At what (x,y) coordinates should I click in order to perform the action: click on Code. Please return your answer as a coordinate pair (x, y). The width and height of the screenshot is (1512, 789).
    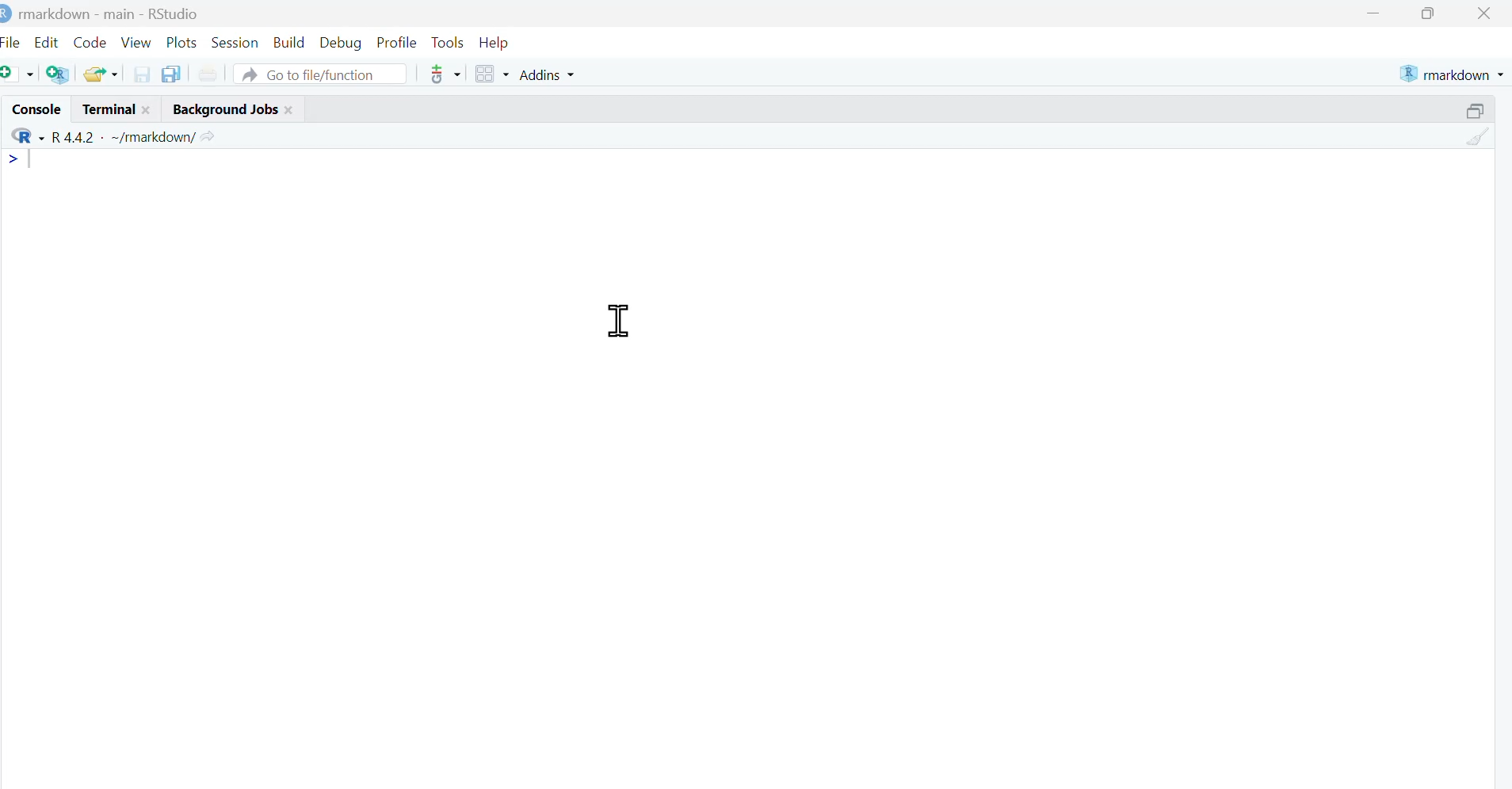
    Looking at the image, I should click on (90, 38).